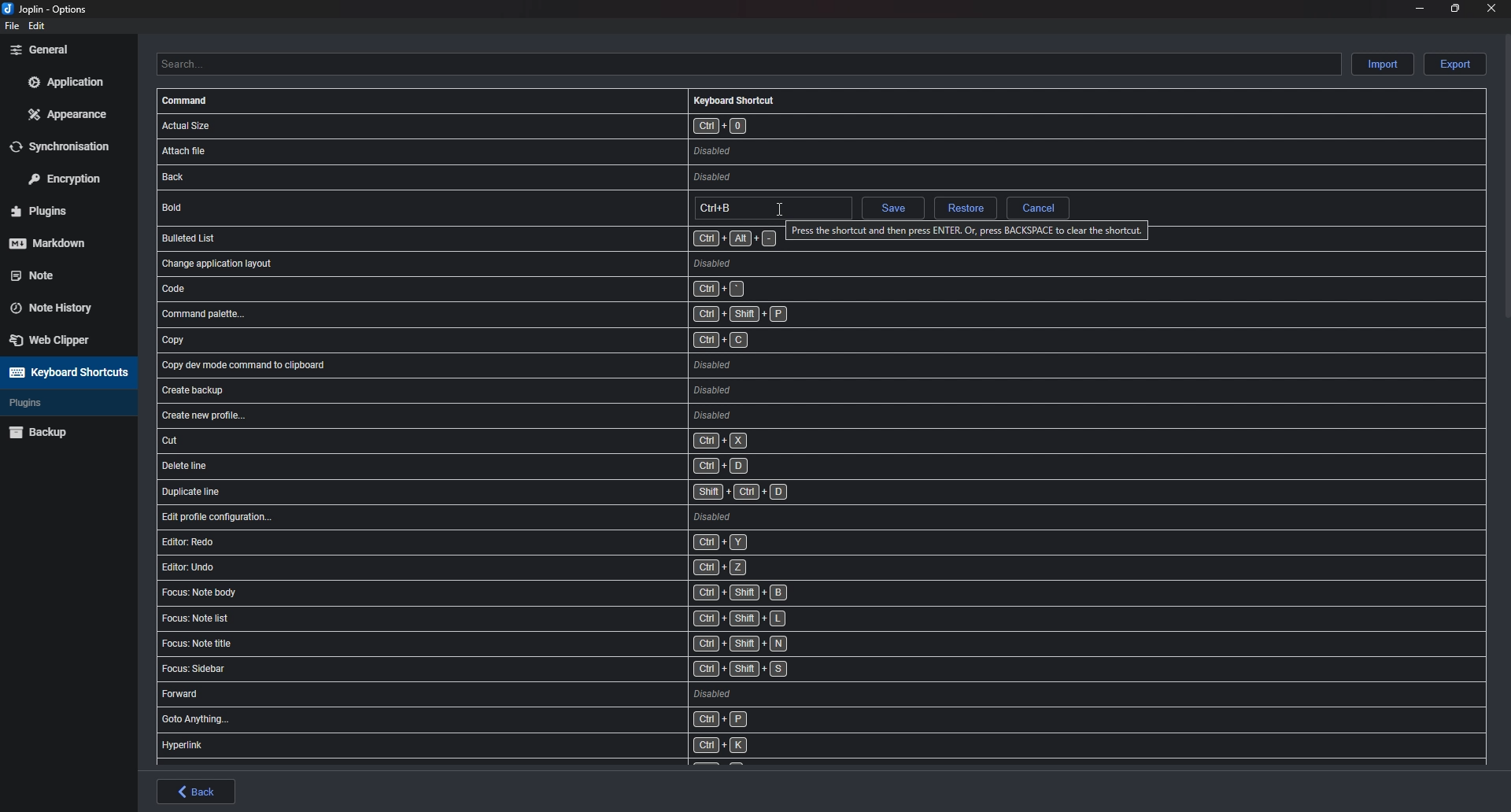 The height and width of the screenshot is (812, 1511). What do you see at coordinates (543, 516) in the screenshot?
I see `shortcut` at bounding box center [543, 516].